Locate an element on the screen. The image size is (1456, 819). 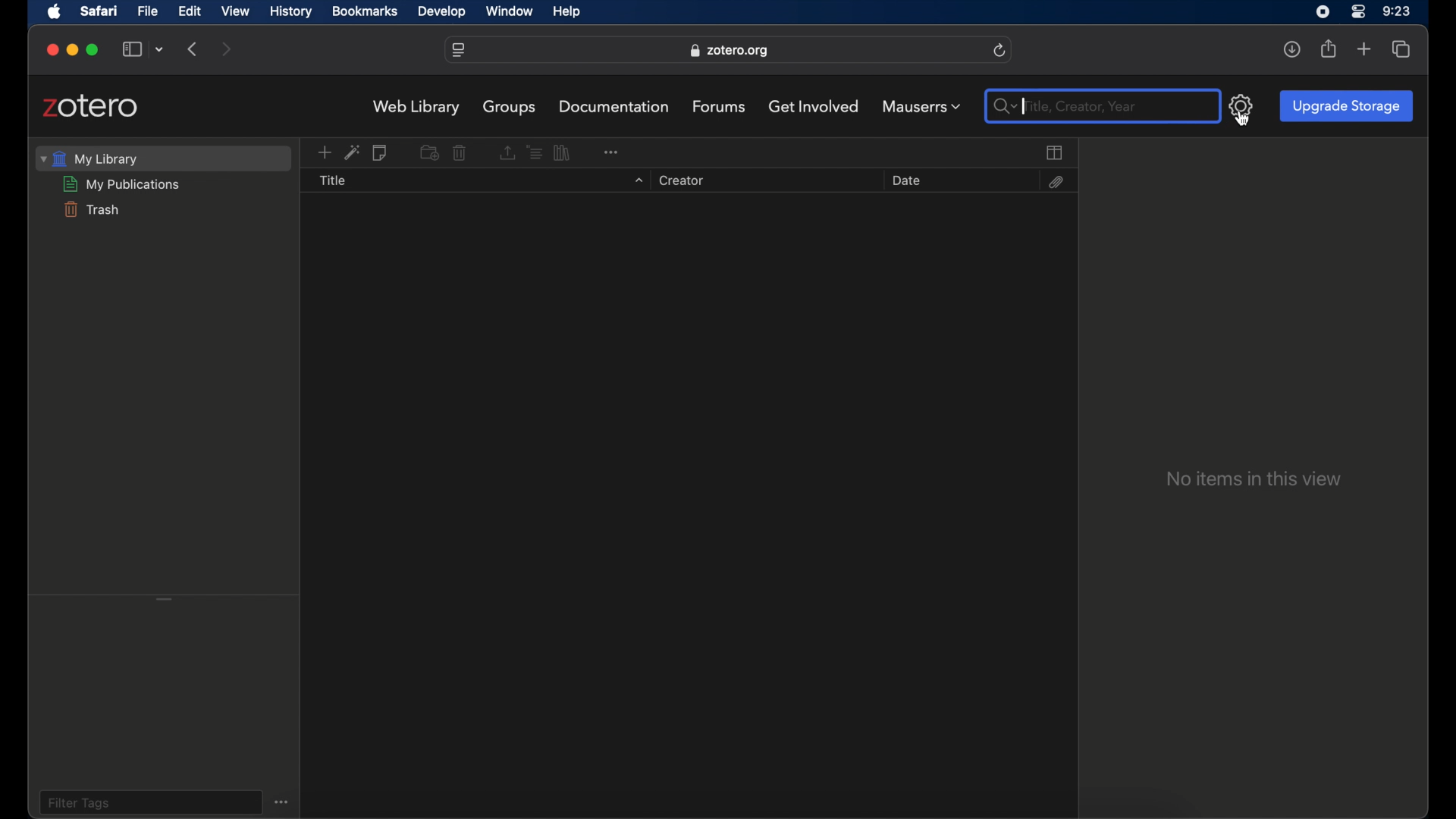
export is located at coordinates (506, 153).